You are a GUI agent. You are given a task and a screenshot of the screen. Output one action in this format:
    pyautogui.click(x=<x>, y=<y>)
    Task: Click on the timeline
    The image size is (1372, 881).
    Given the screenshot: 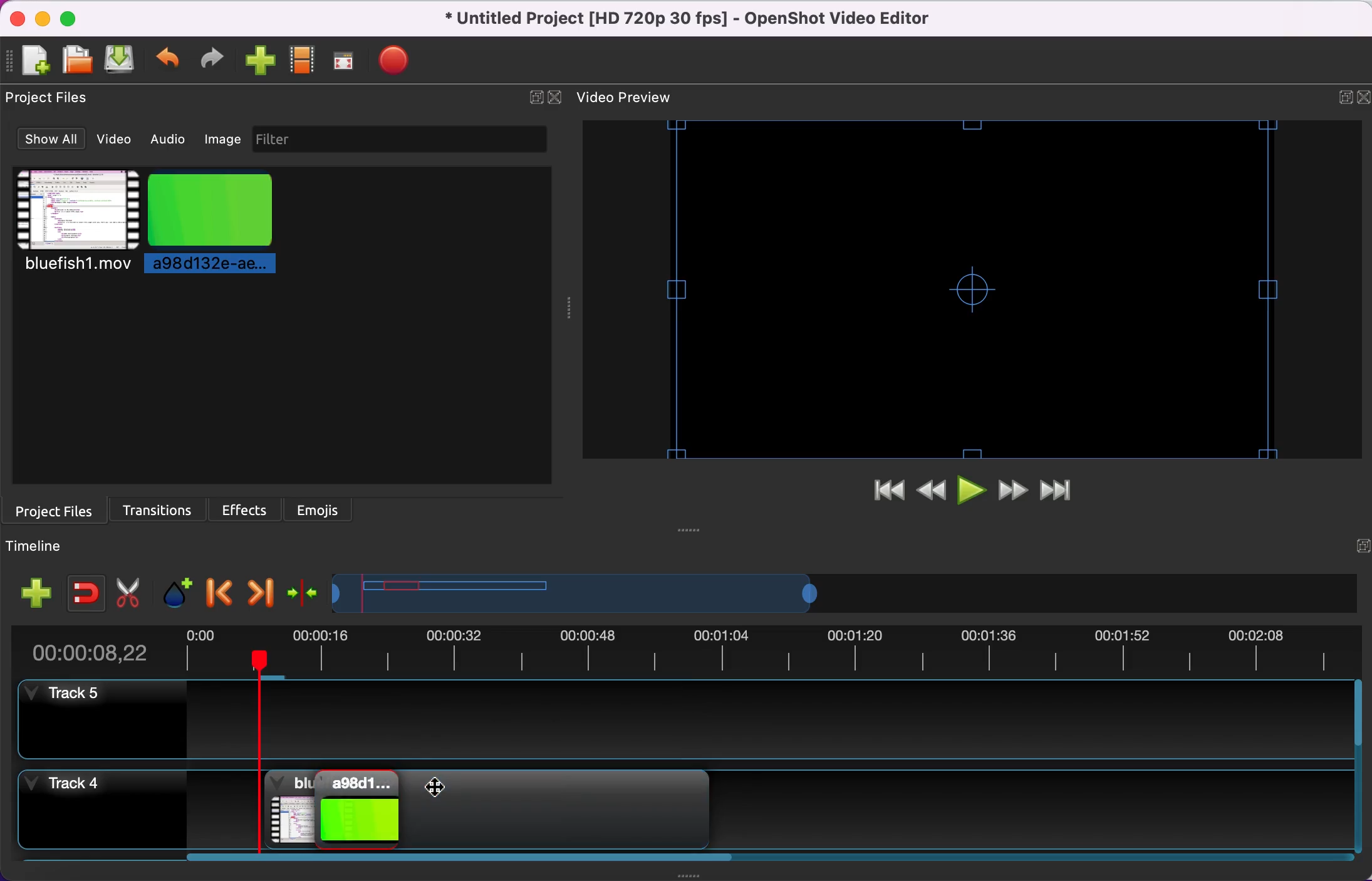 What is the action you would take?
    pyautogui.click(x=721, y=592)
    